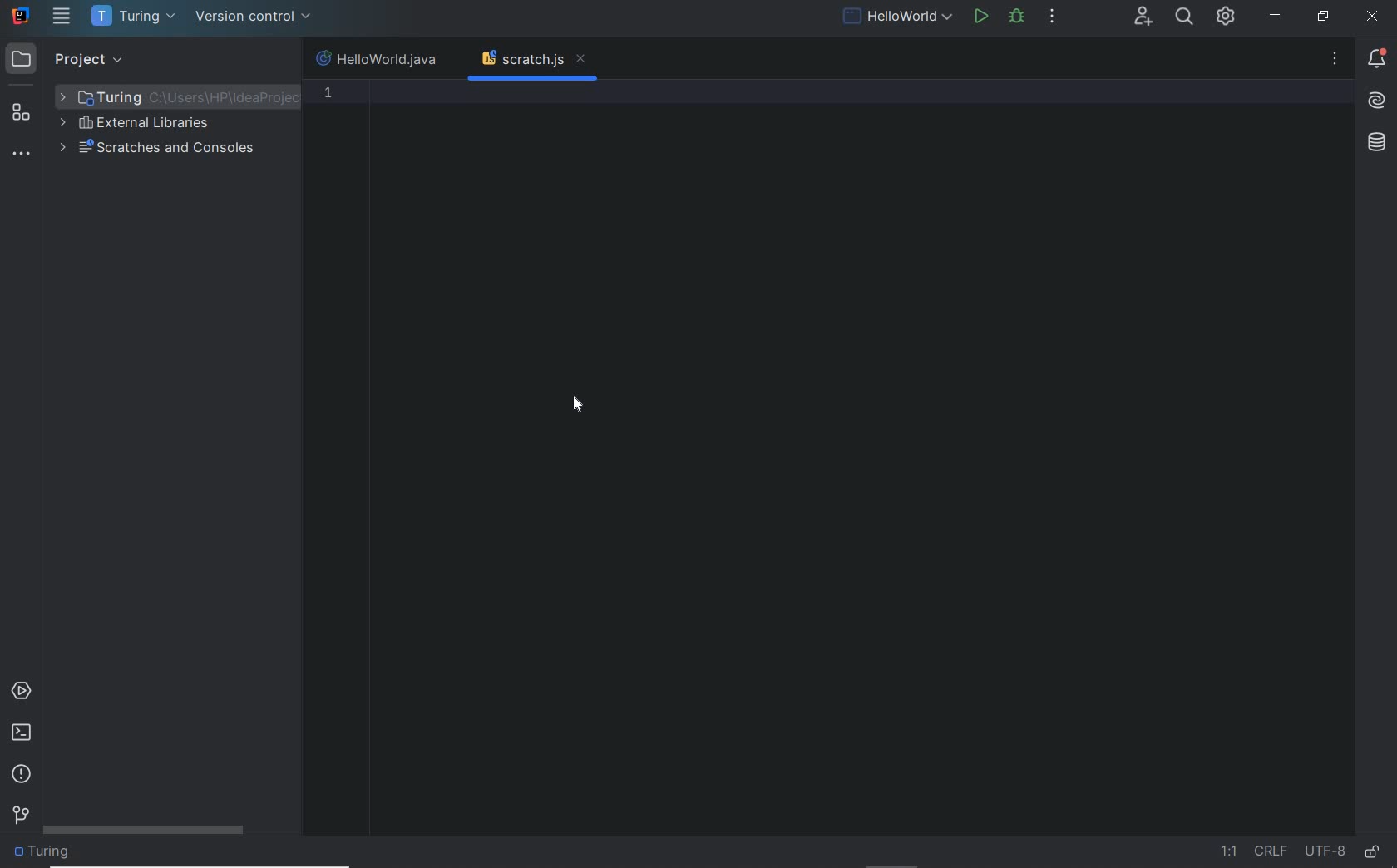 The height and width of the screenshot is (868, 1397). I want to click on project name, so click(134, 17).